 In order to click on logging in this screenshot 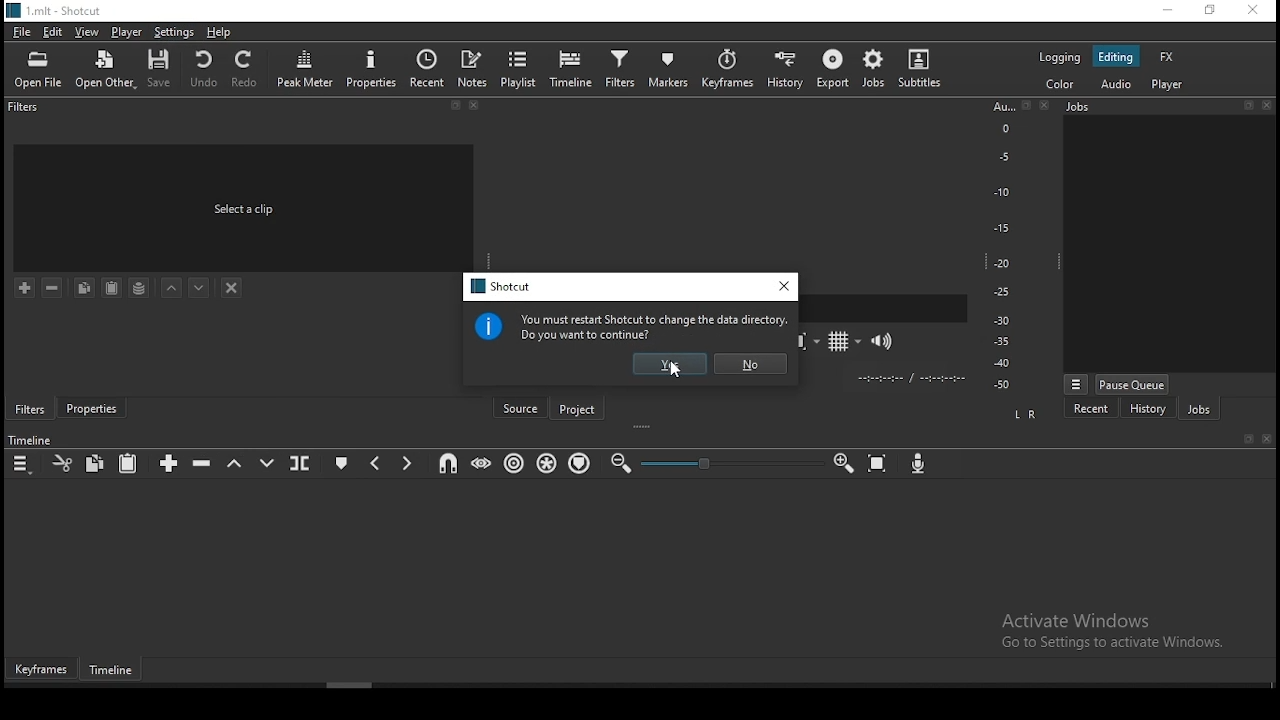, I will do `click(1058, 57)`.